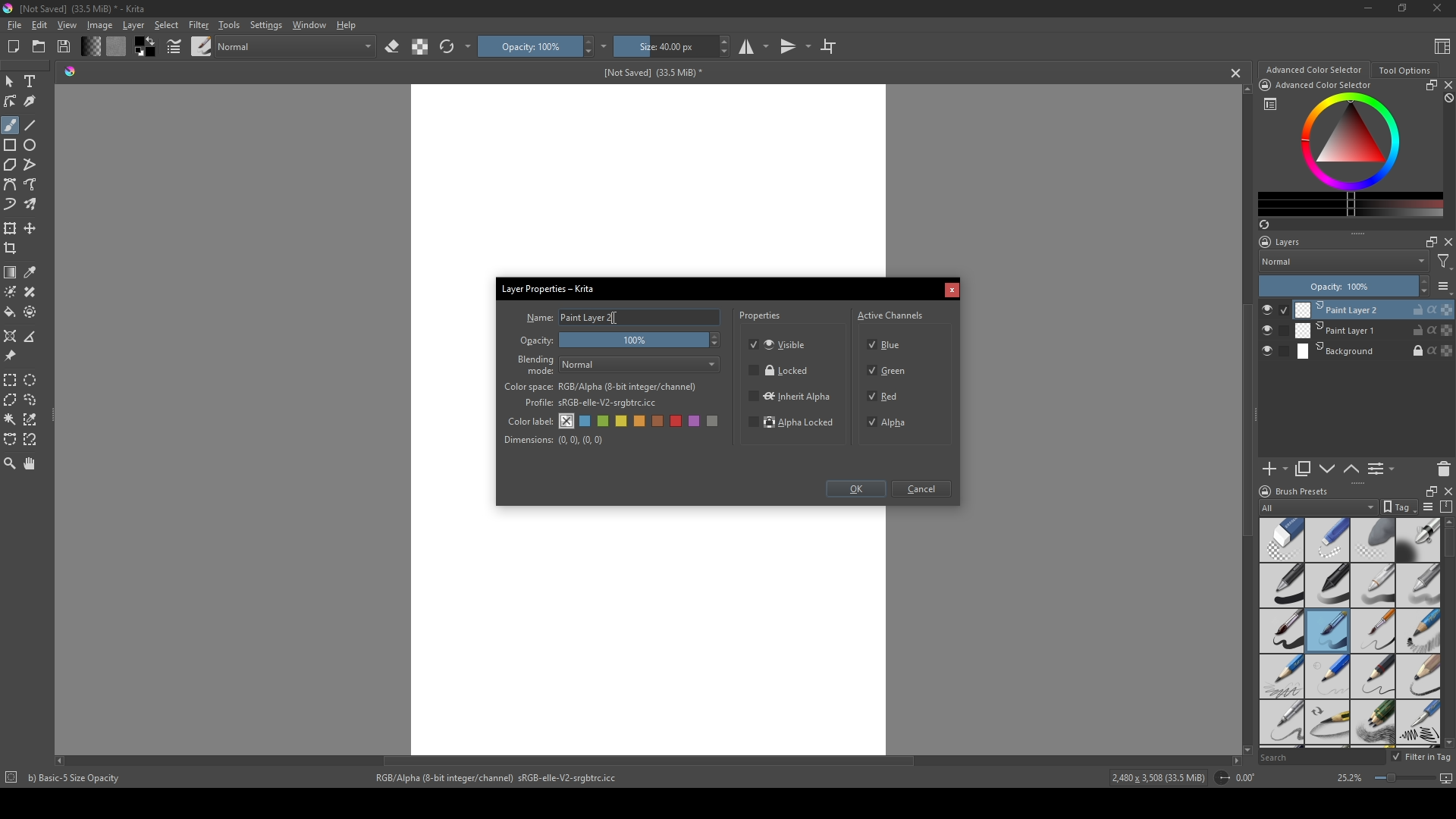 The width and height of the screenshot is (1456, 819). What do you see at coordinates (1427, 507) in the screenshot?
I see `list` at bounding box center [1427, 507].